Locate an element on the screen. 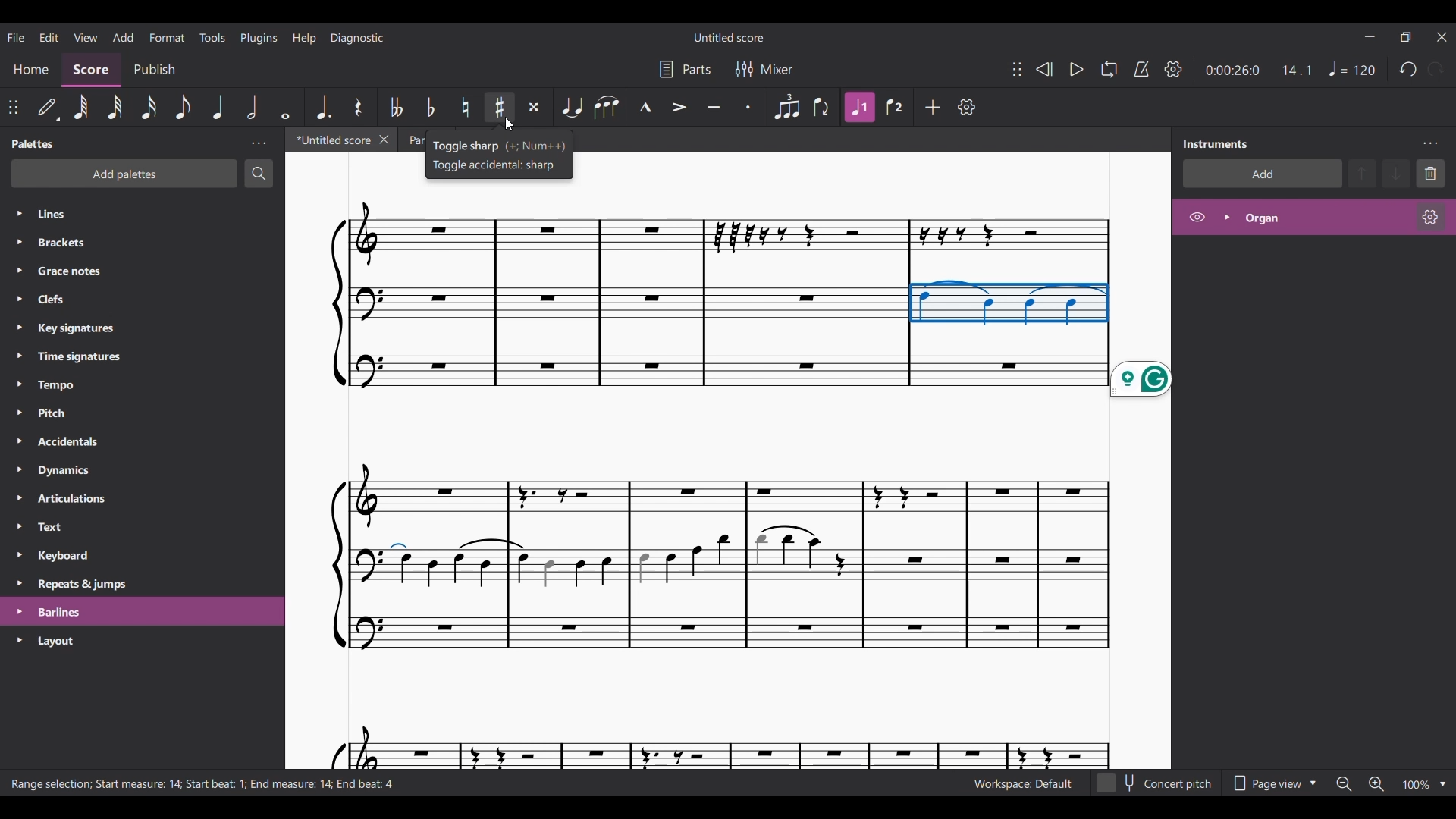 The width and height of the screenshot is (1456, 819). Toggle sharp highlighted by cursor is located at coordinates (500, 107).